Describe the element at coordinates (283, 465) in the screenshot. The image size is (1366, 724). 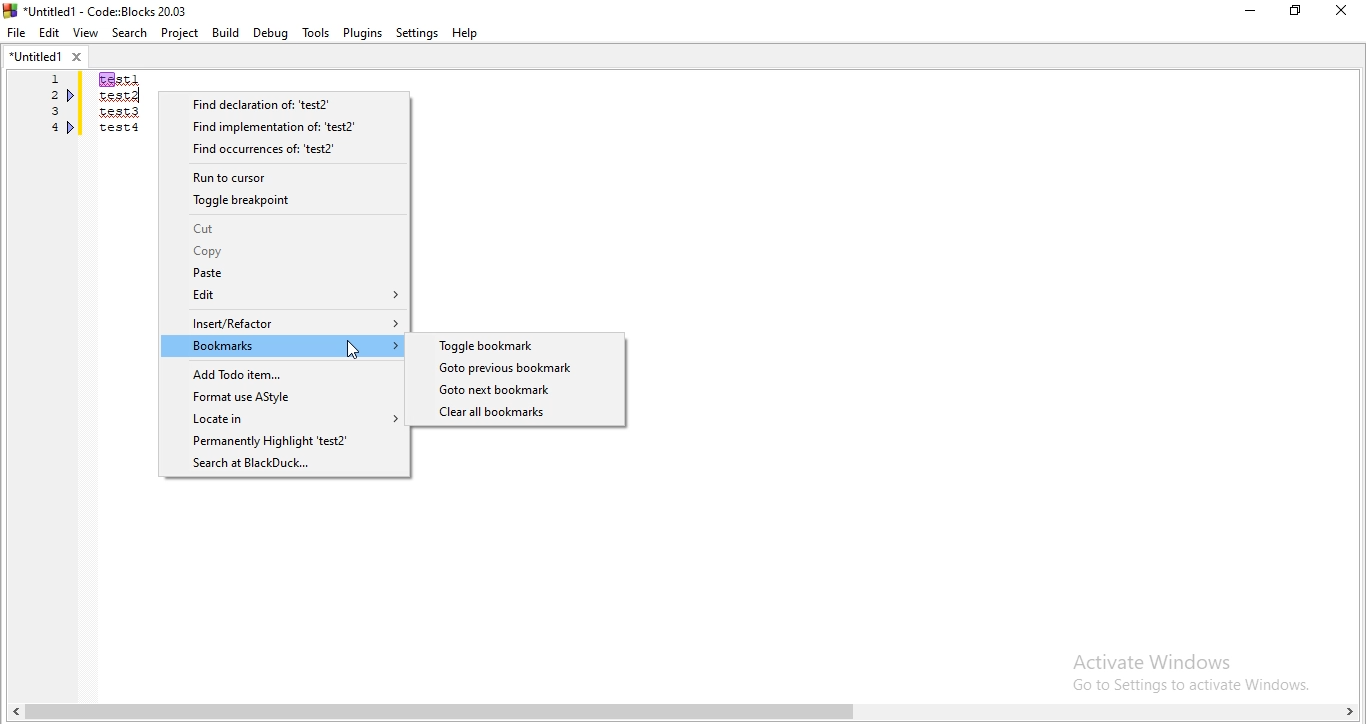
I see `Search at BlackDuck..` at that location.